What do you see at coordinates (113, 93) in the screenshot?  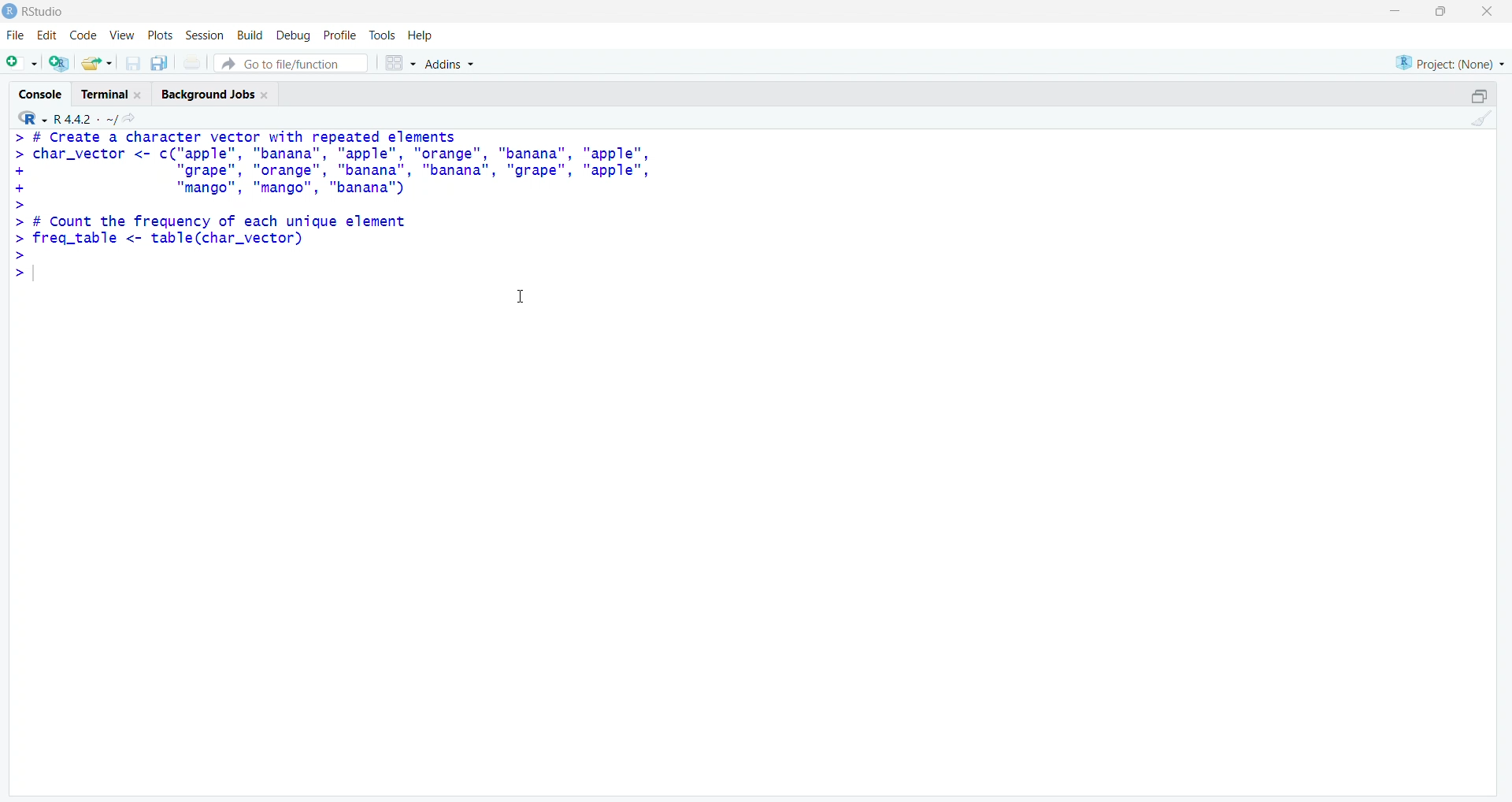 I see `Terminal` at bounding box center [113, 93].